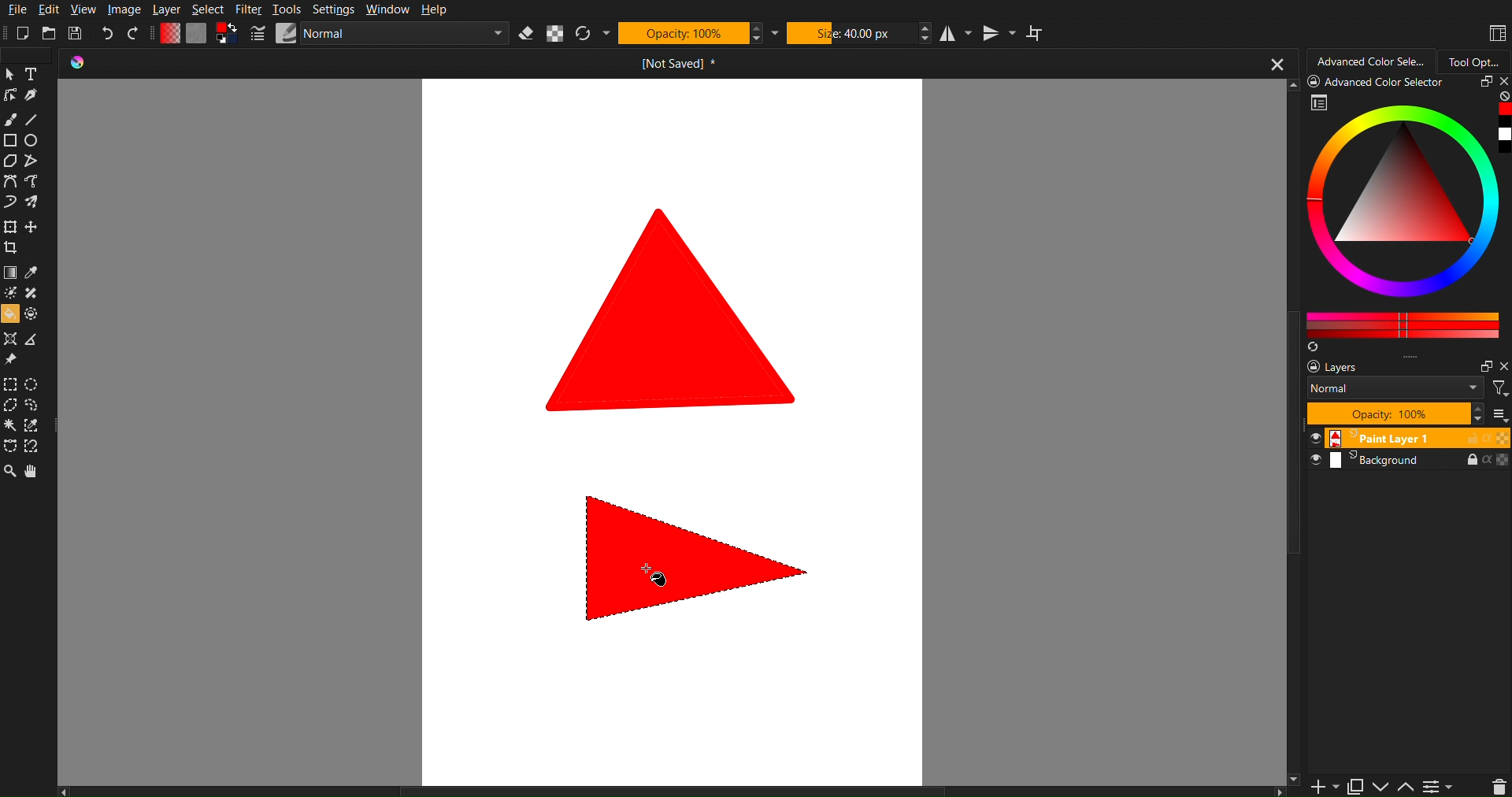  Describe the element at coordinates (9, 428) in the screenshot. I see `wind` at that location.